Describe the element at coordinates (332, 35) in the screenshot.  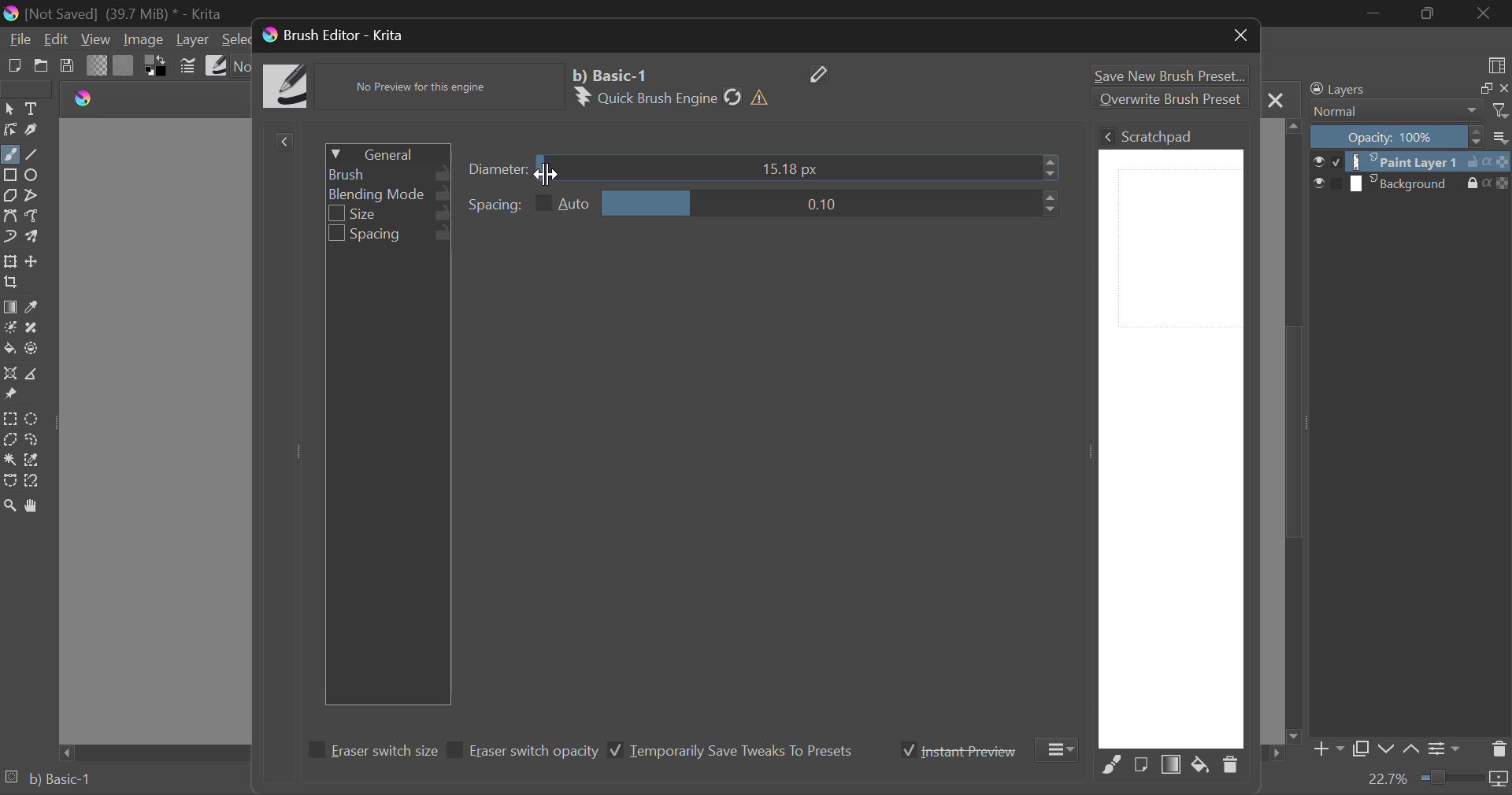
I see `Window Title` at that location.